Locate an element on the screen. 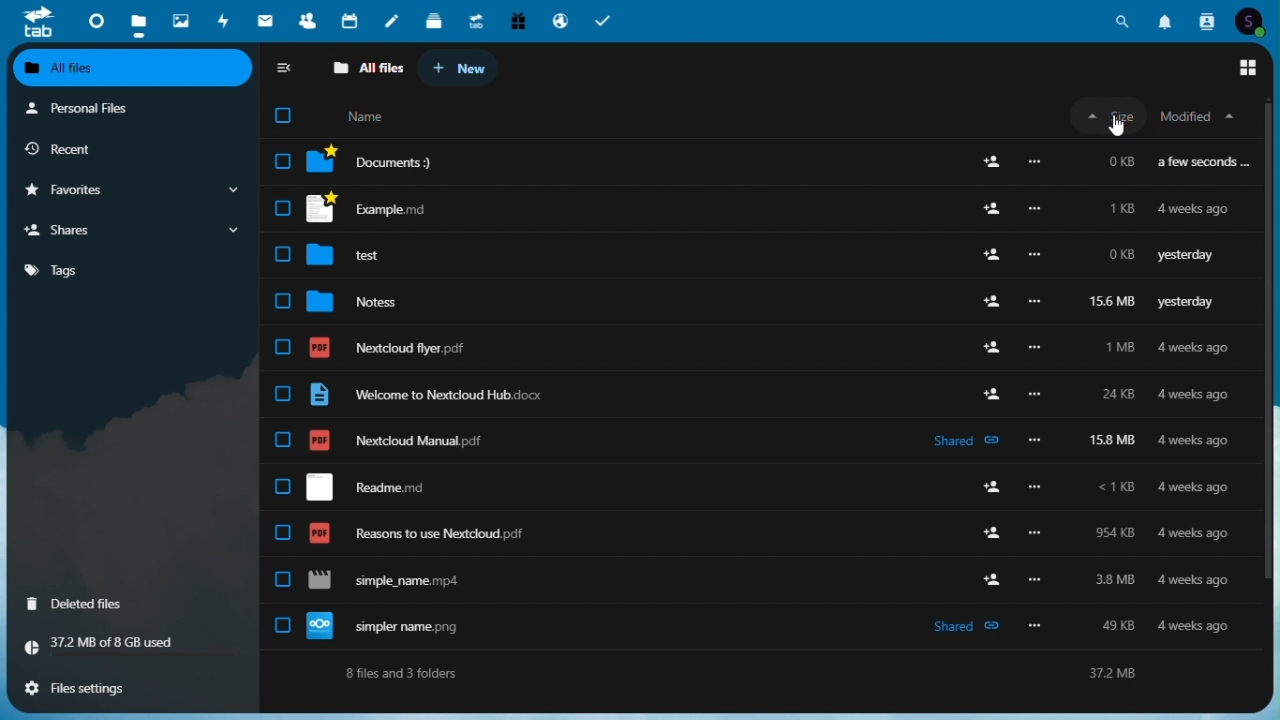  photos is located at coordinates (179, 20).